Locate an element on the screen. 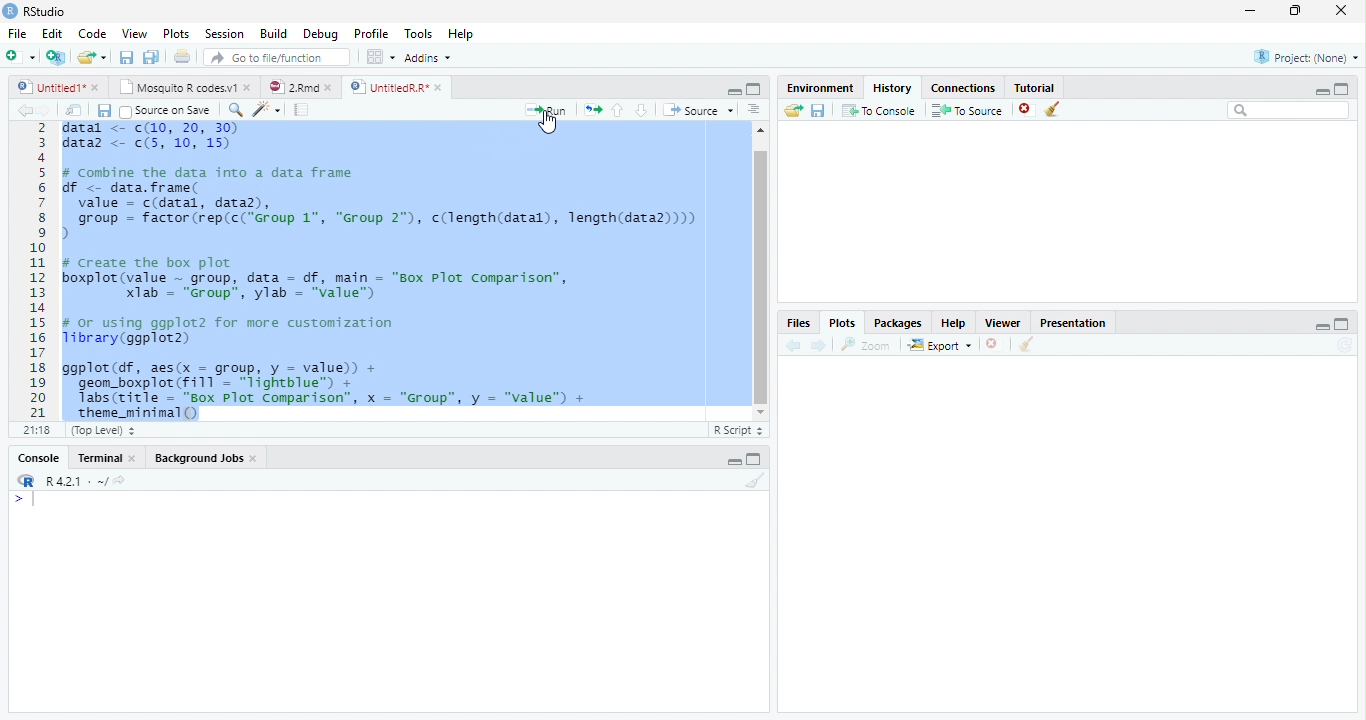 The image size is (1366, 720). Addins is located at coordinates (426, 57).